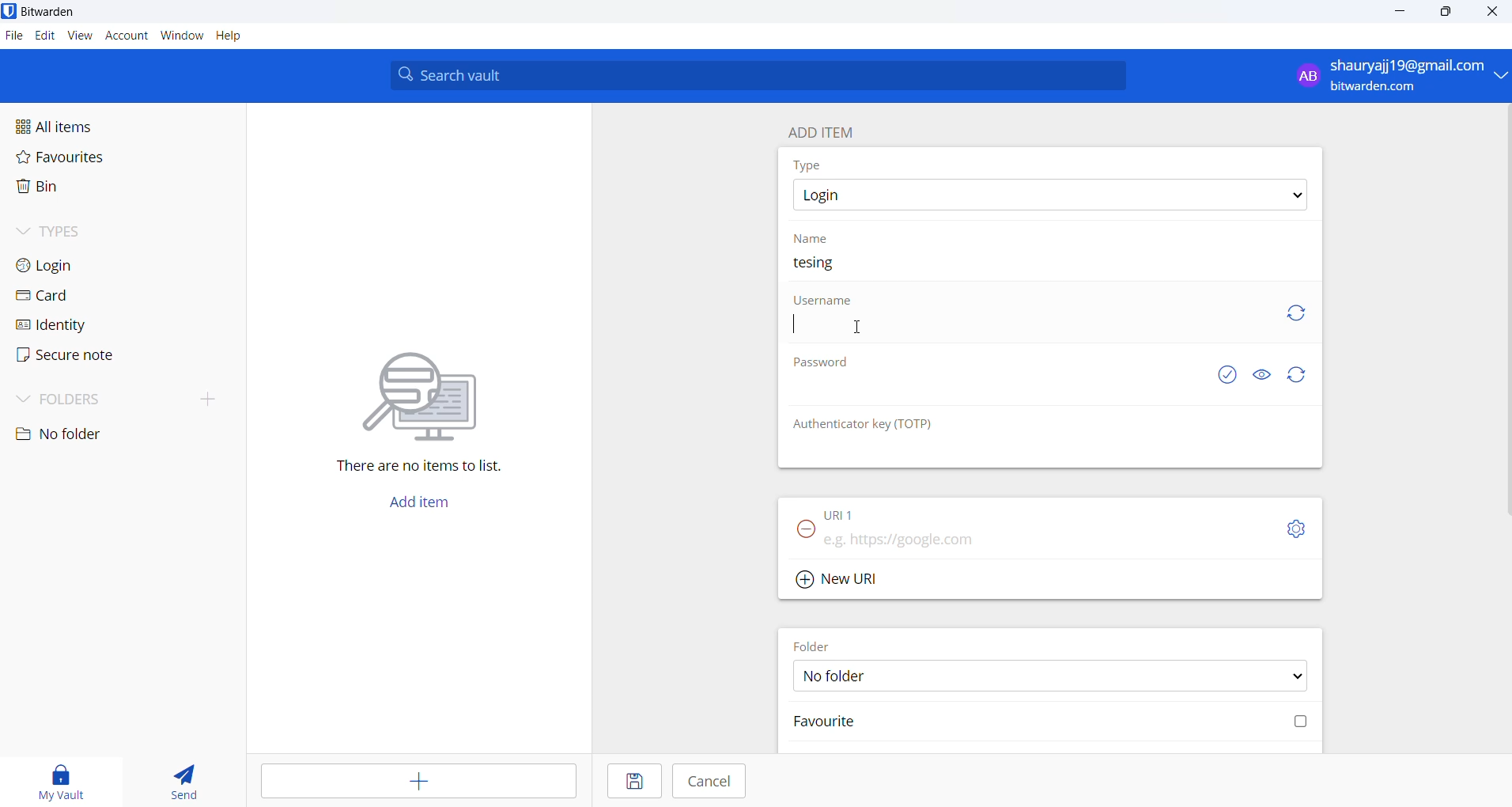  I want to click on URL1, so click(853, 511).